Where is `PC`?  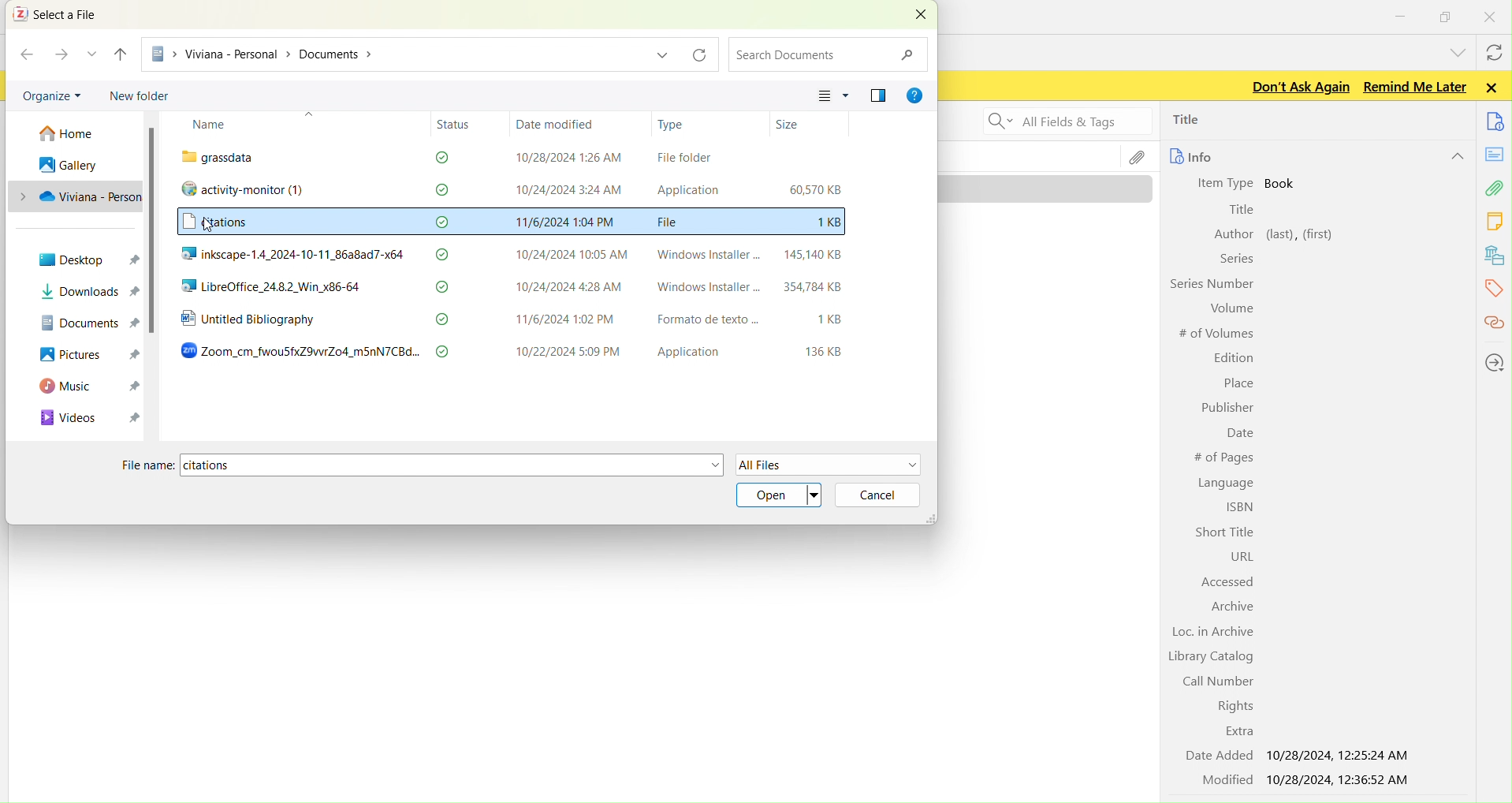 PC is located at coordinates (79, 199).